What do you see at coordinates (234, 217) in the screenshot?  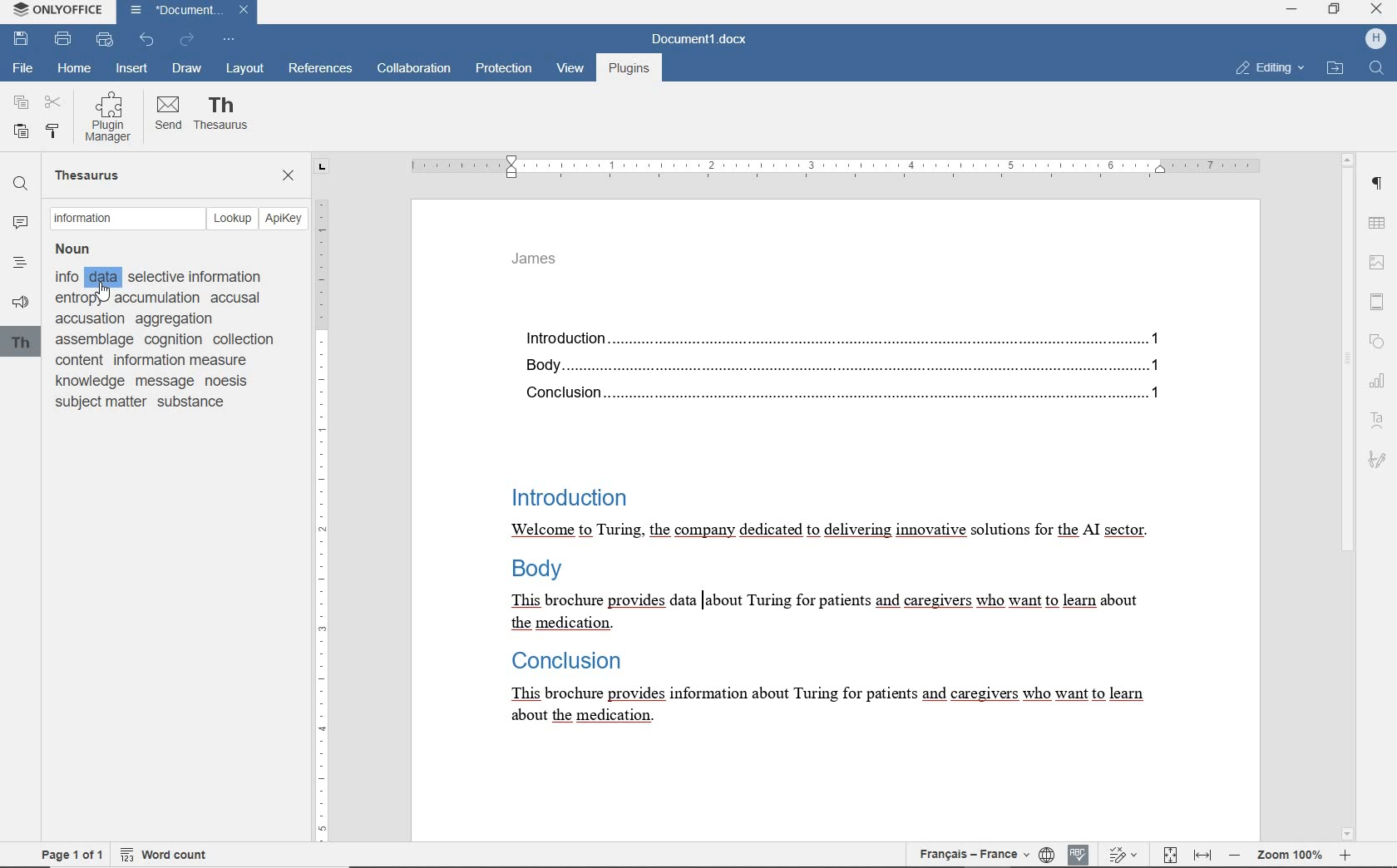 I see `LOOKUP` at bounding box center [234, 217].